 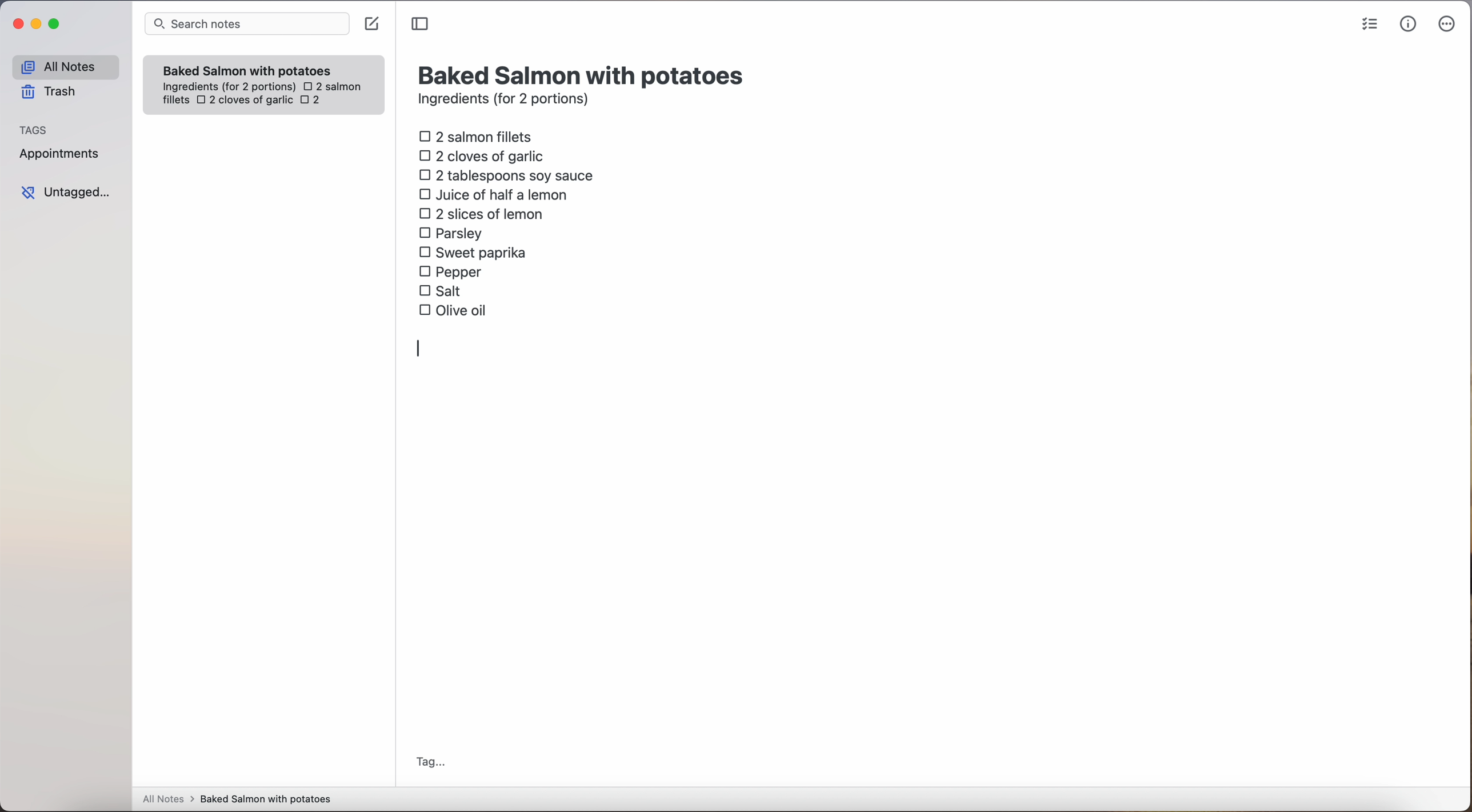 I want to click on toggle sidebar, so click(x=421, y=25).